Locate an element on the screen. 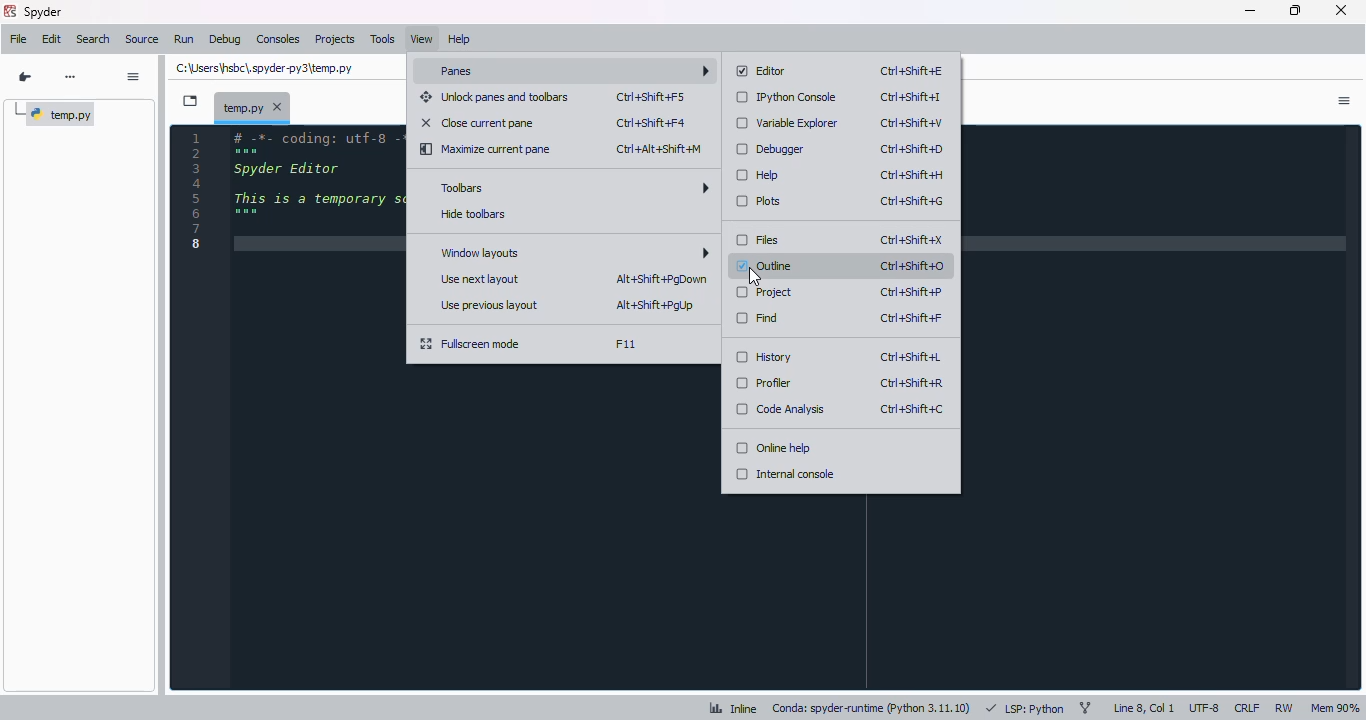 The height and width of the screenshot is (720, 1366). line 8, col 1 is located at coordinates (1144, 707).